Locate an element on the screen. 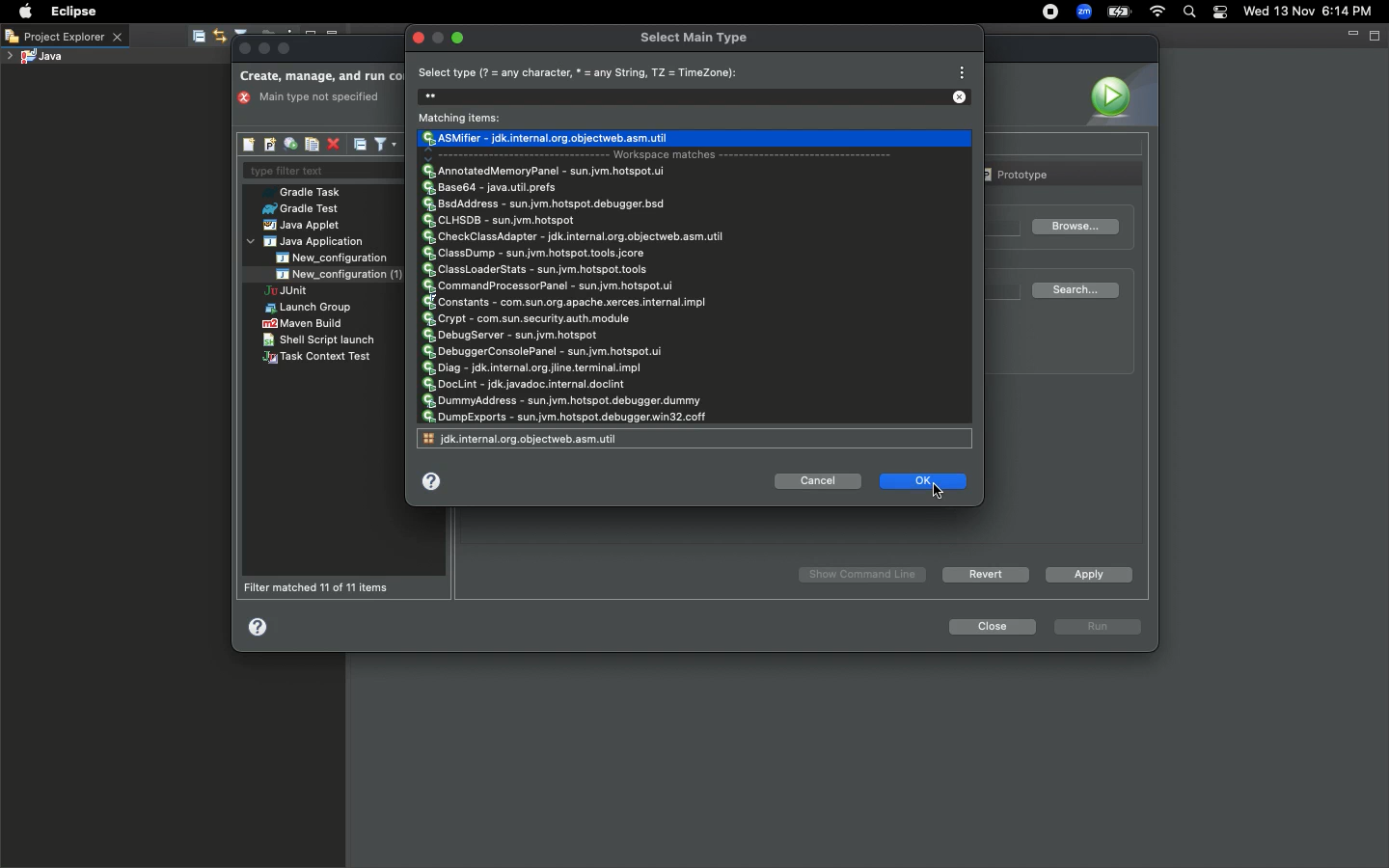  New launch configuration is located at coordinates (250, 145).